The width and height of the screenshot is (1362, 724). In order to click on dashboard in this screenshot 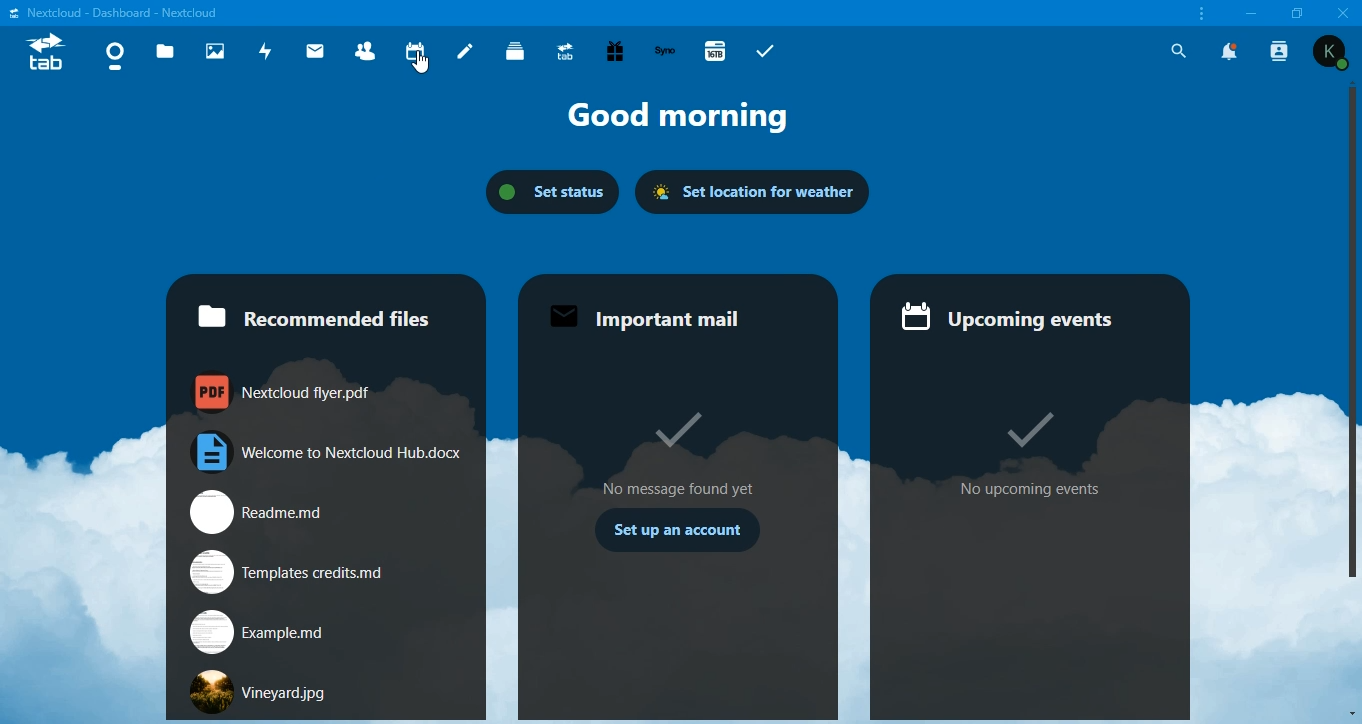, I will do `click(115, 56)`.